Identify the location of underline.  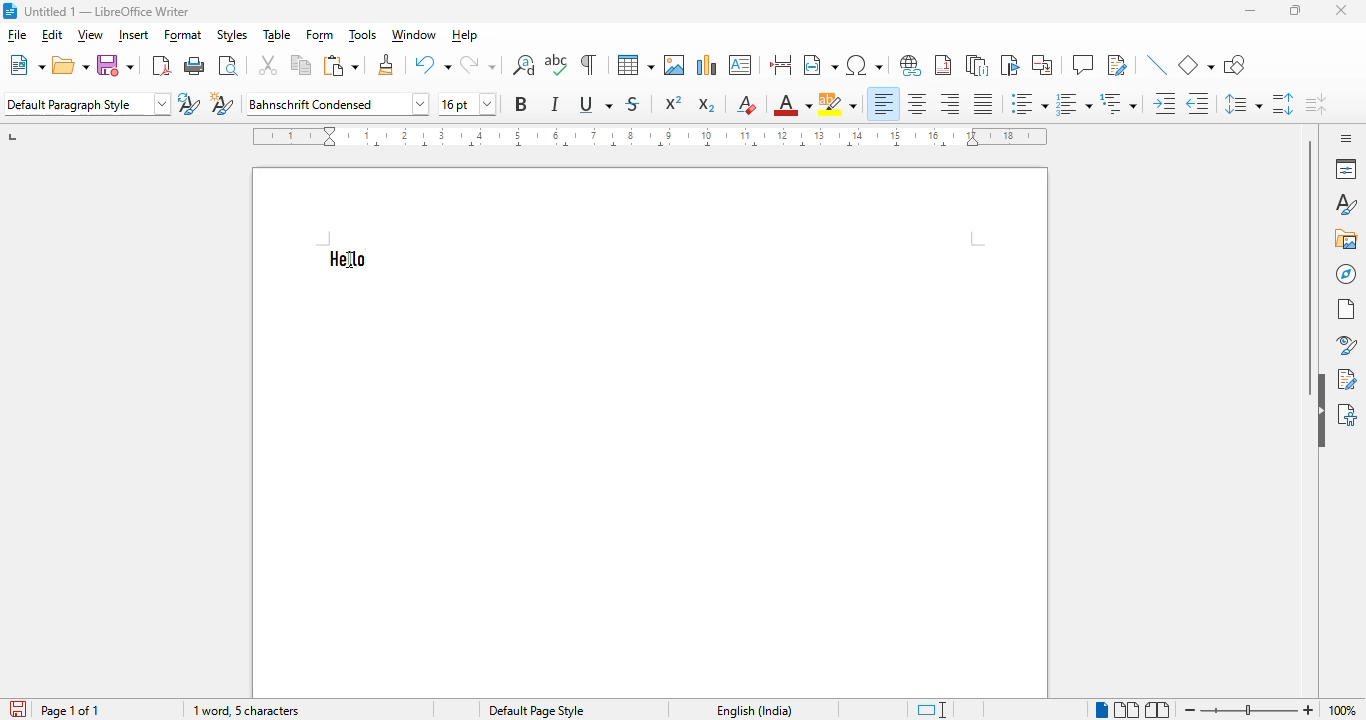
(595, 105).